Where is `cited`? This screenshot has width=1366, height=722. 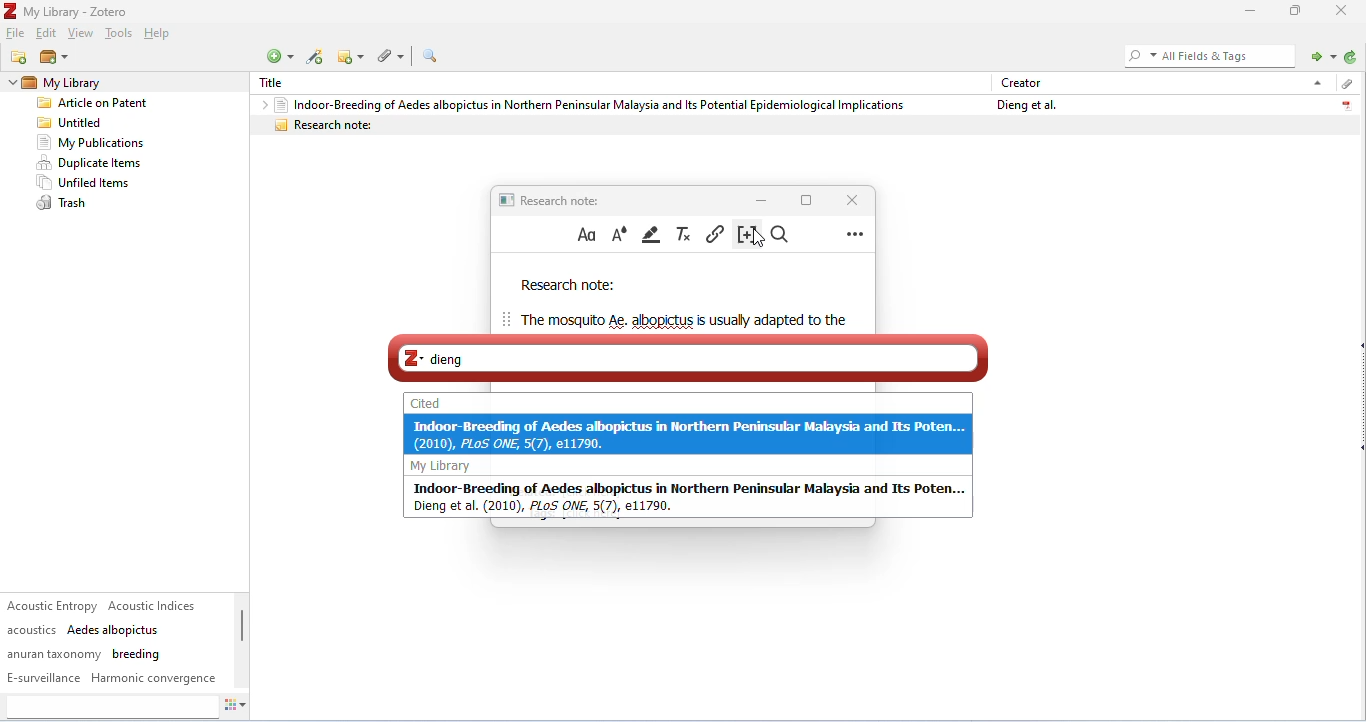 cited is located at coordinates (427, 403).